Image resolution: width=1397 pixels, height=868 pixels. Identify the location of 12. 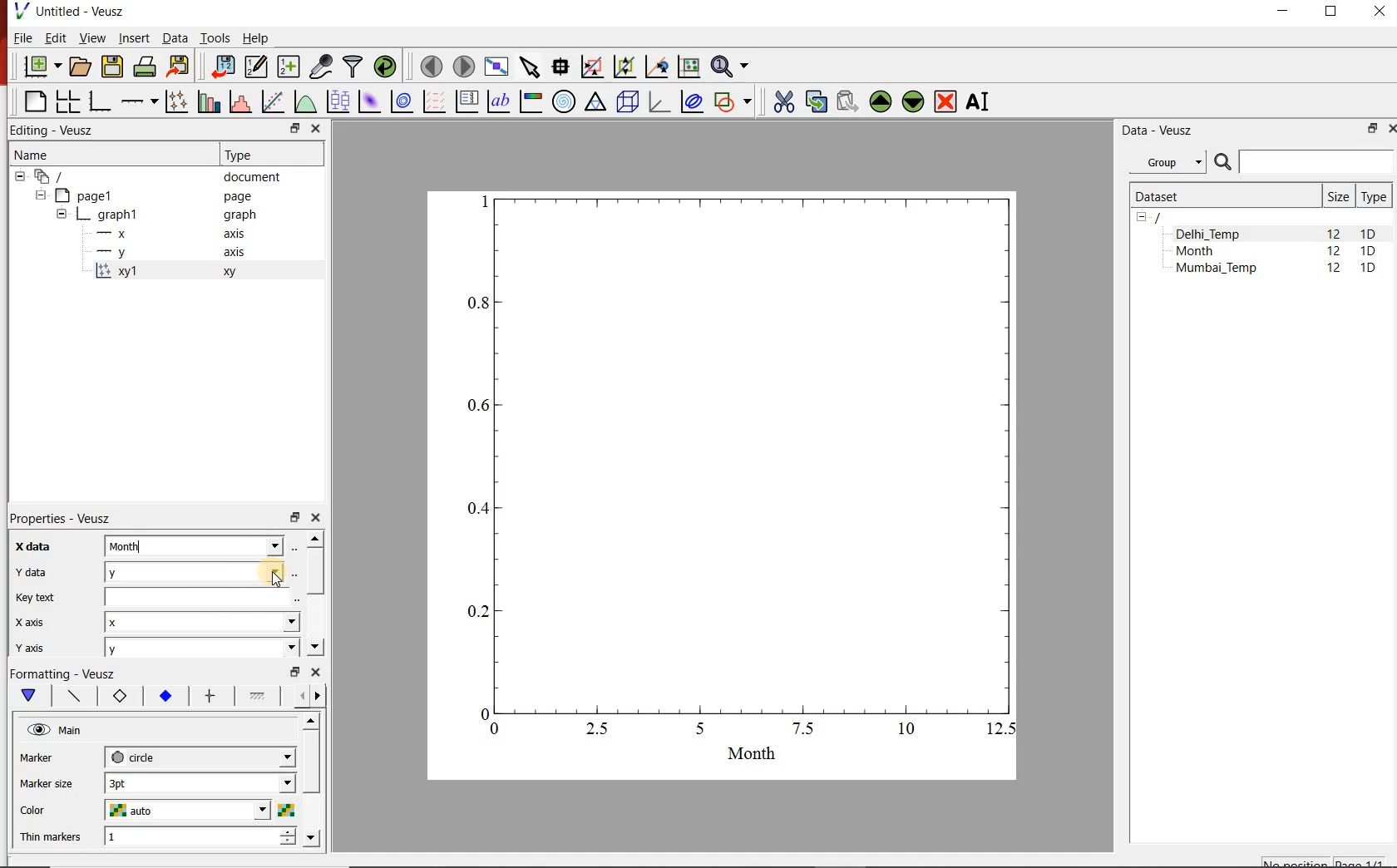
(1335, 270).